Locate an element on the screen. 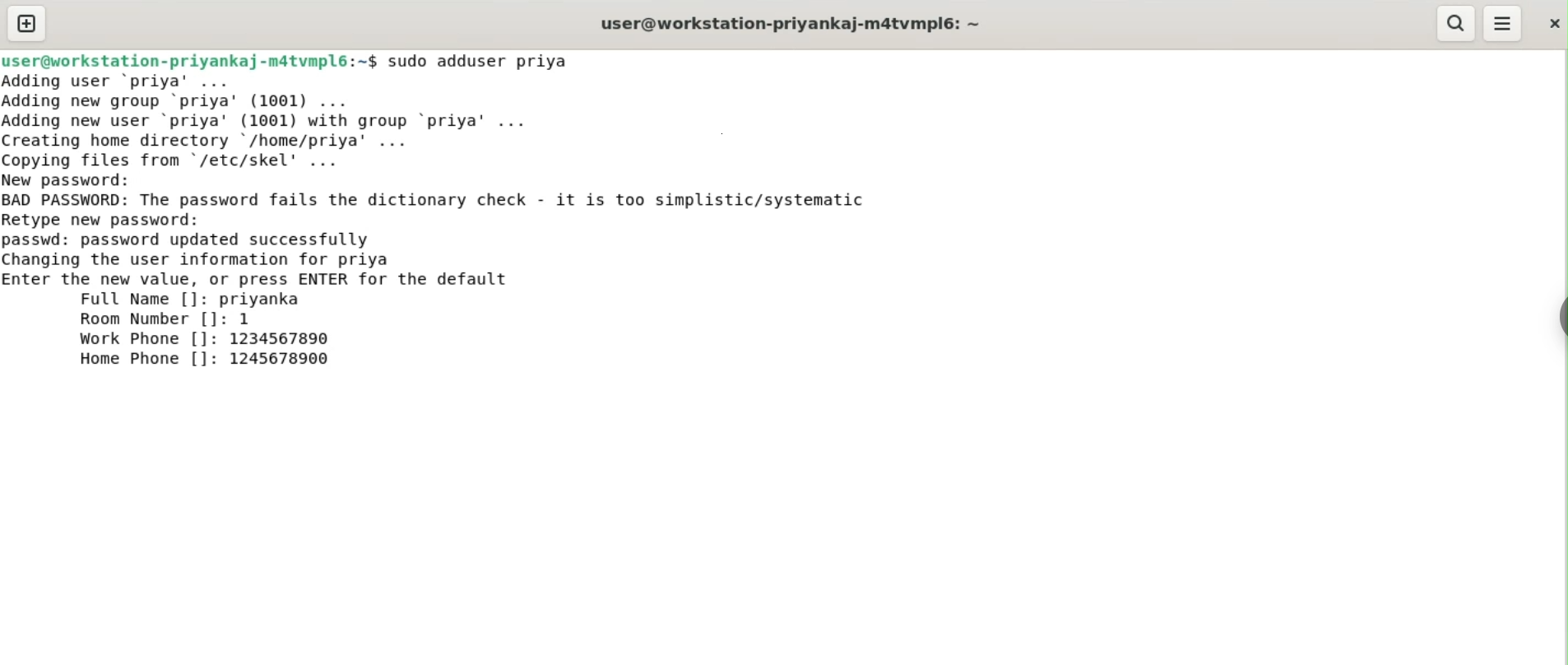  BAD PASSWORD: The password fails the dictionary check. it is too simplistic/systematic is located at coordinates (464, 201).